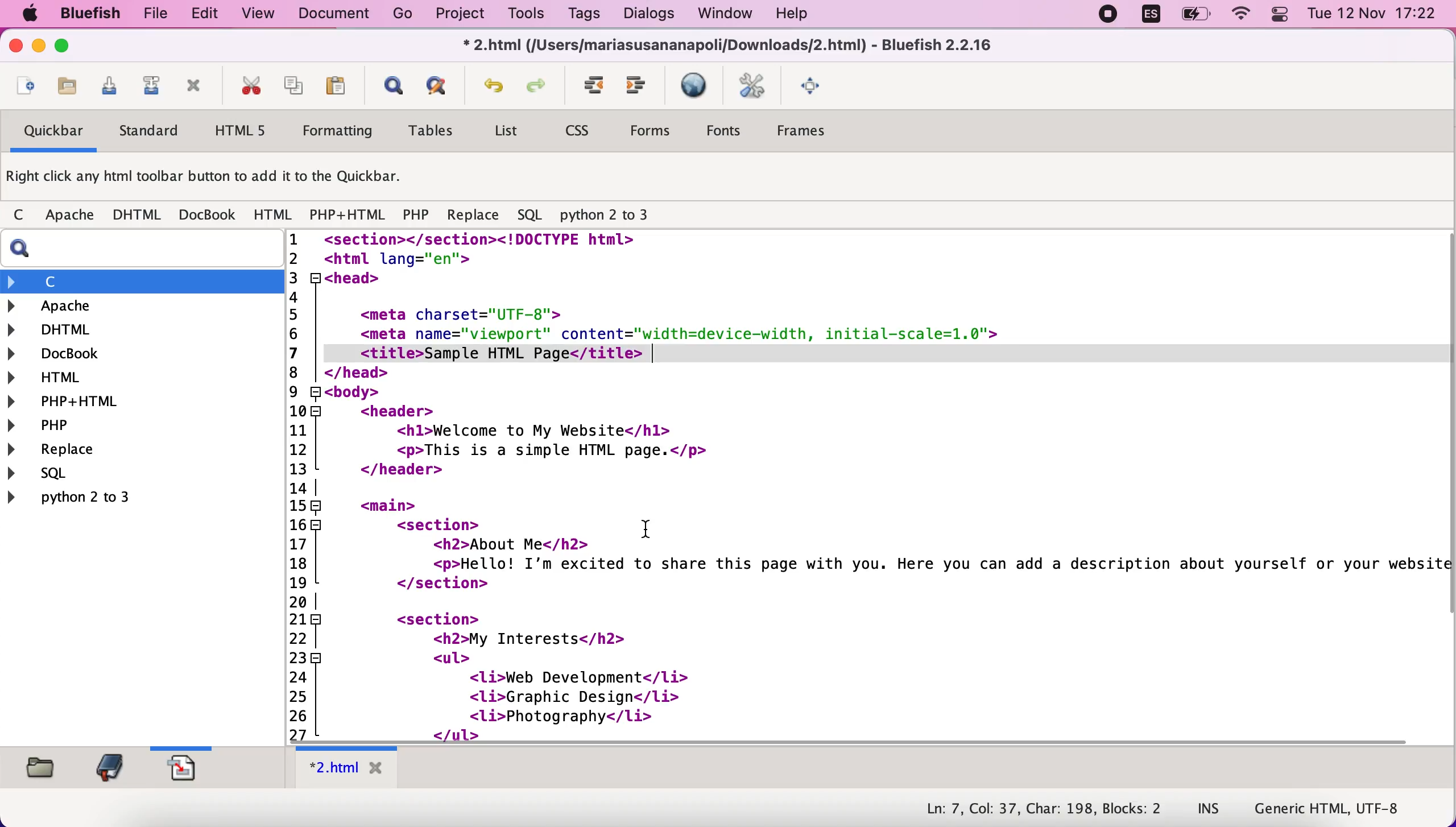  I want to click on advanced find and replace, so click(444, 85).